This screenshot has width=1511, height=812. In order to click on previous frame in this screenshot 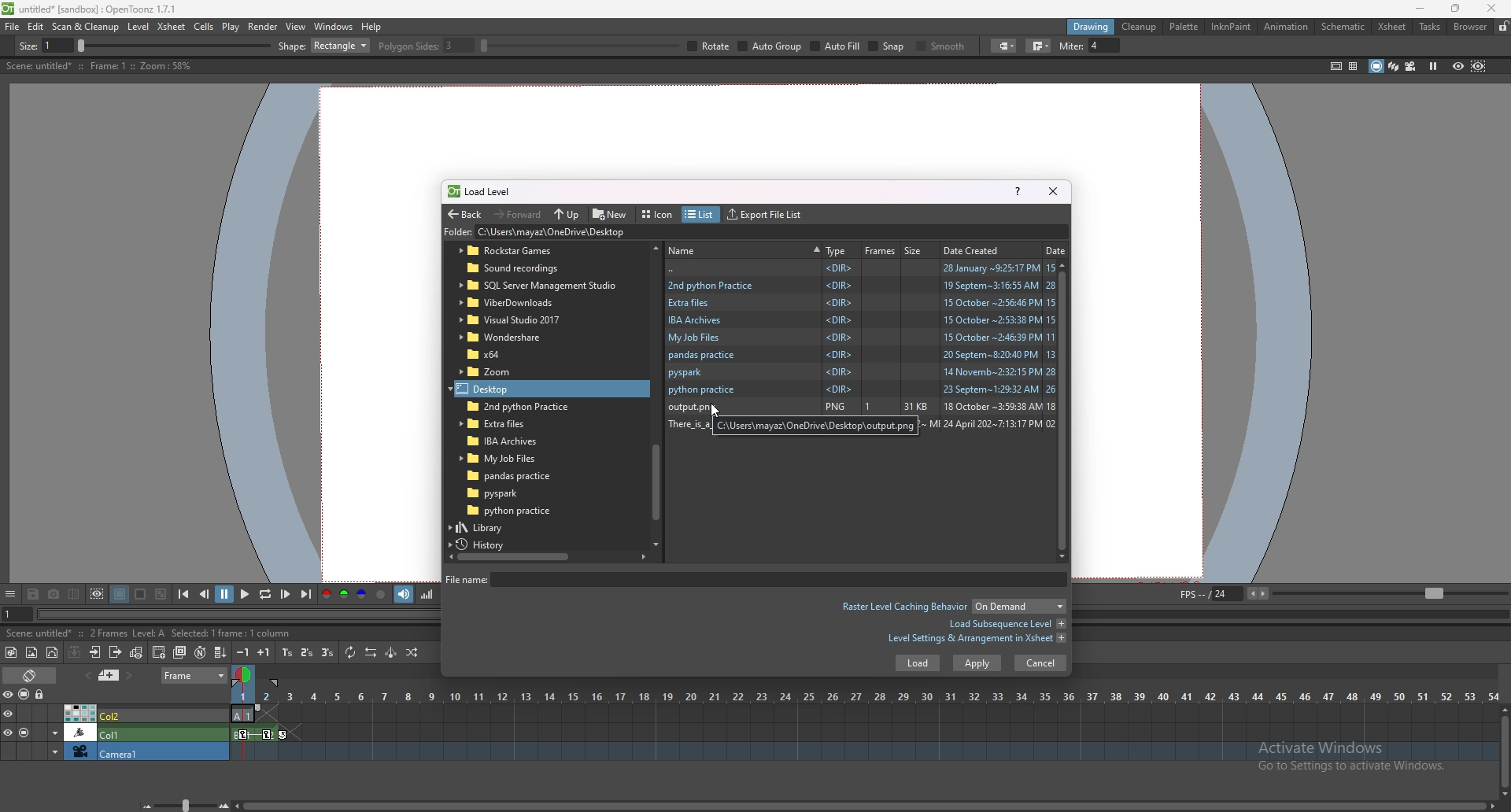, I will do `click(205, 593)`.